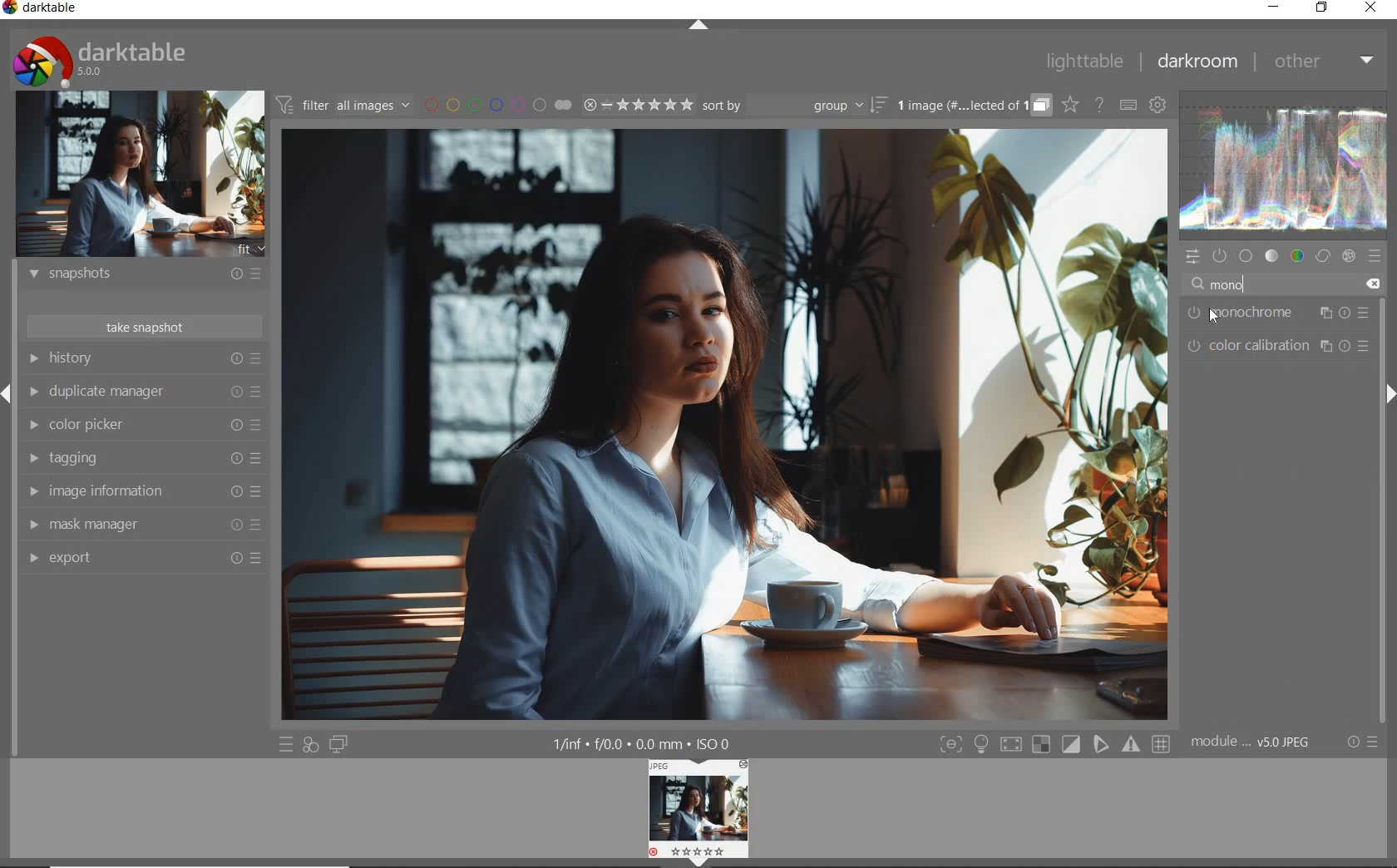  I want to click on darkroom, so click(1199, 62).